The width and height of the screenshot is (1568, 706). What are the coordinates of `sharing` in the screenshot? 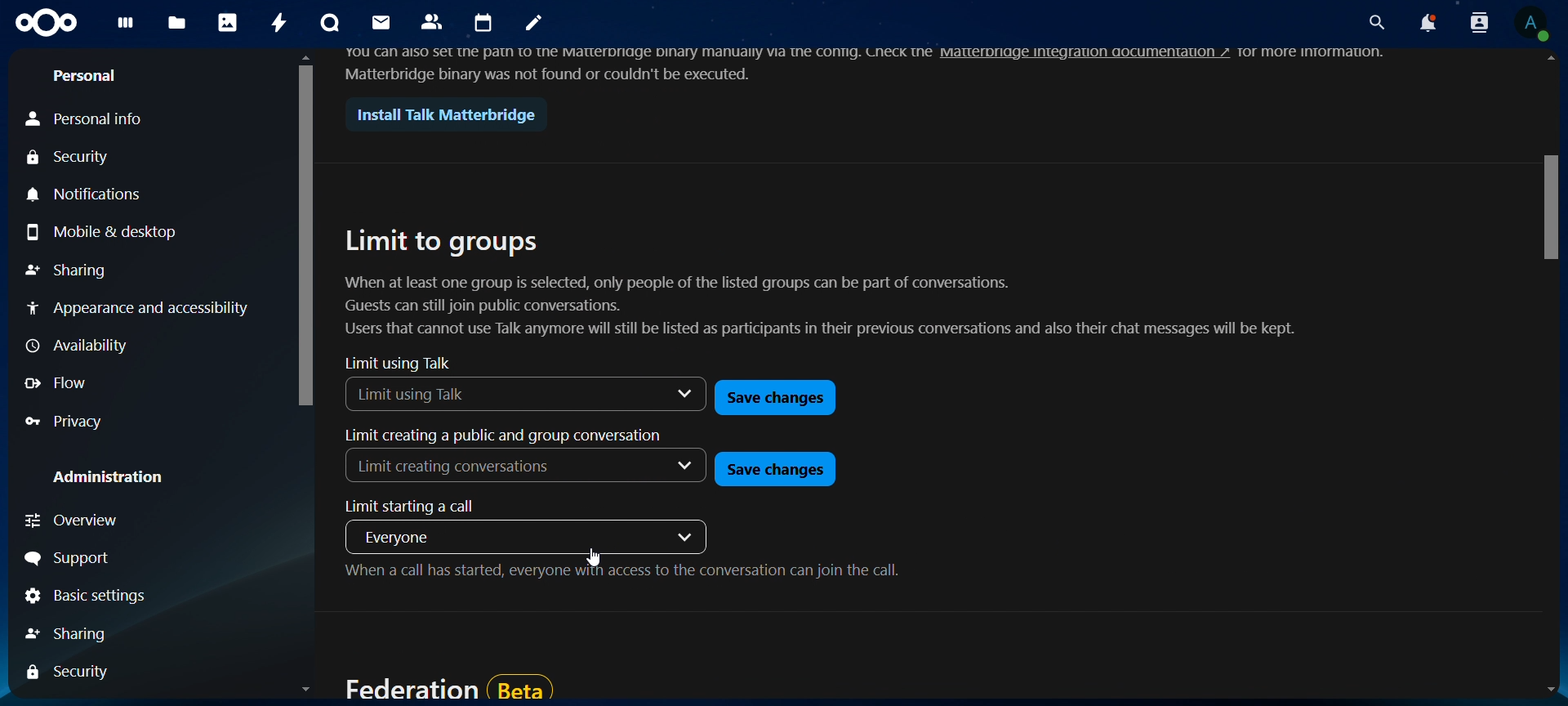 It's located at (64, 671).